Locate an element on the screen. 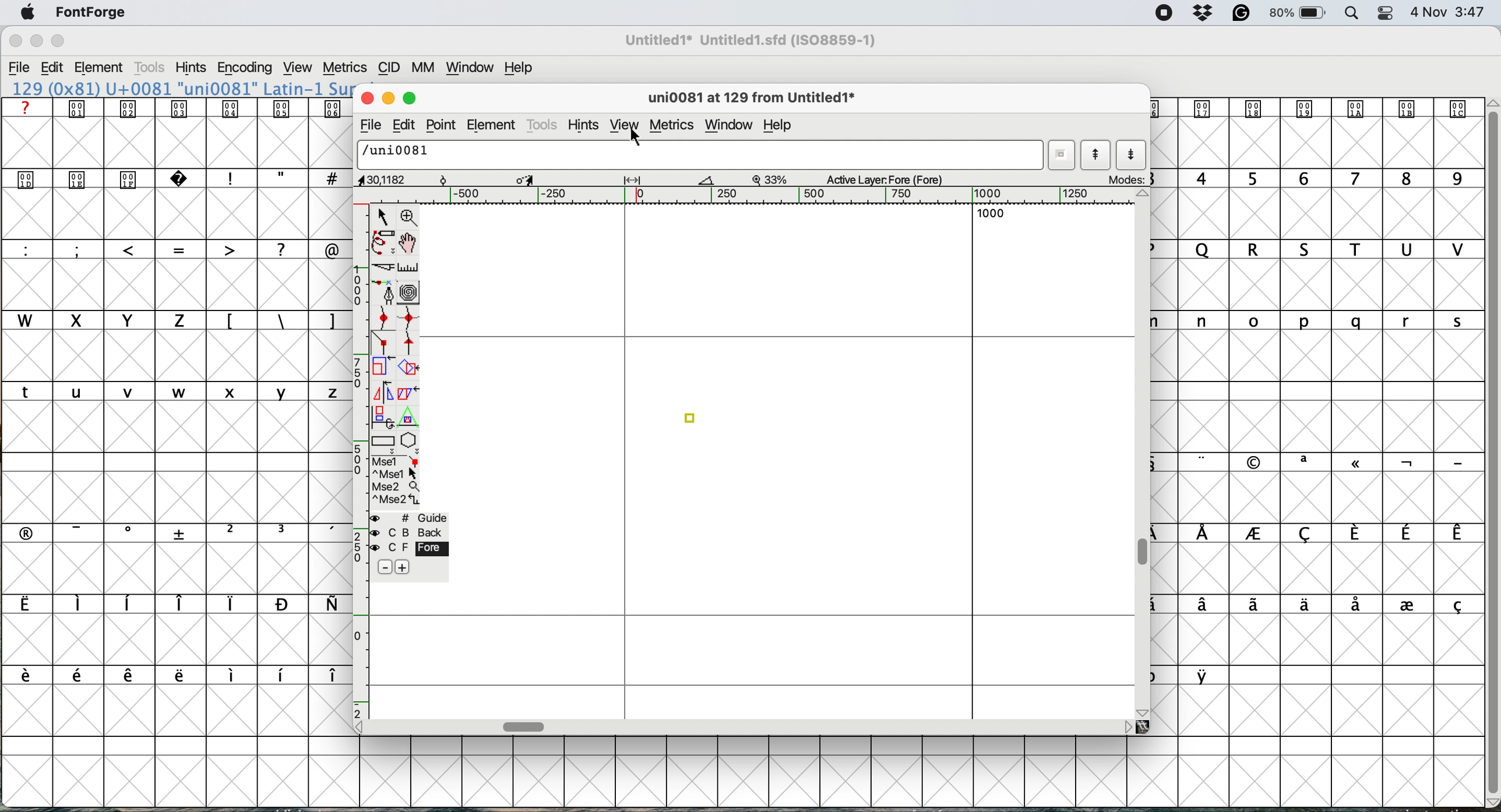 This screenshot has height=812, width=1501. Horizontal Scale is located at coordinates (743, 195).